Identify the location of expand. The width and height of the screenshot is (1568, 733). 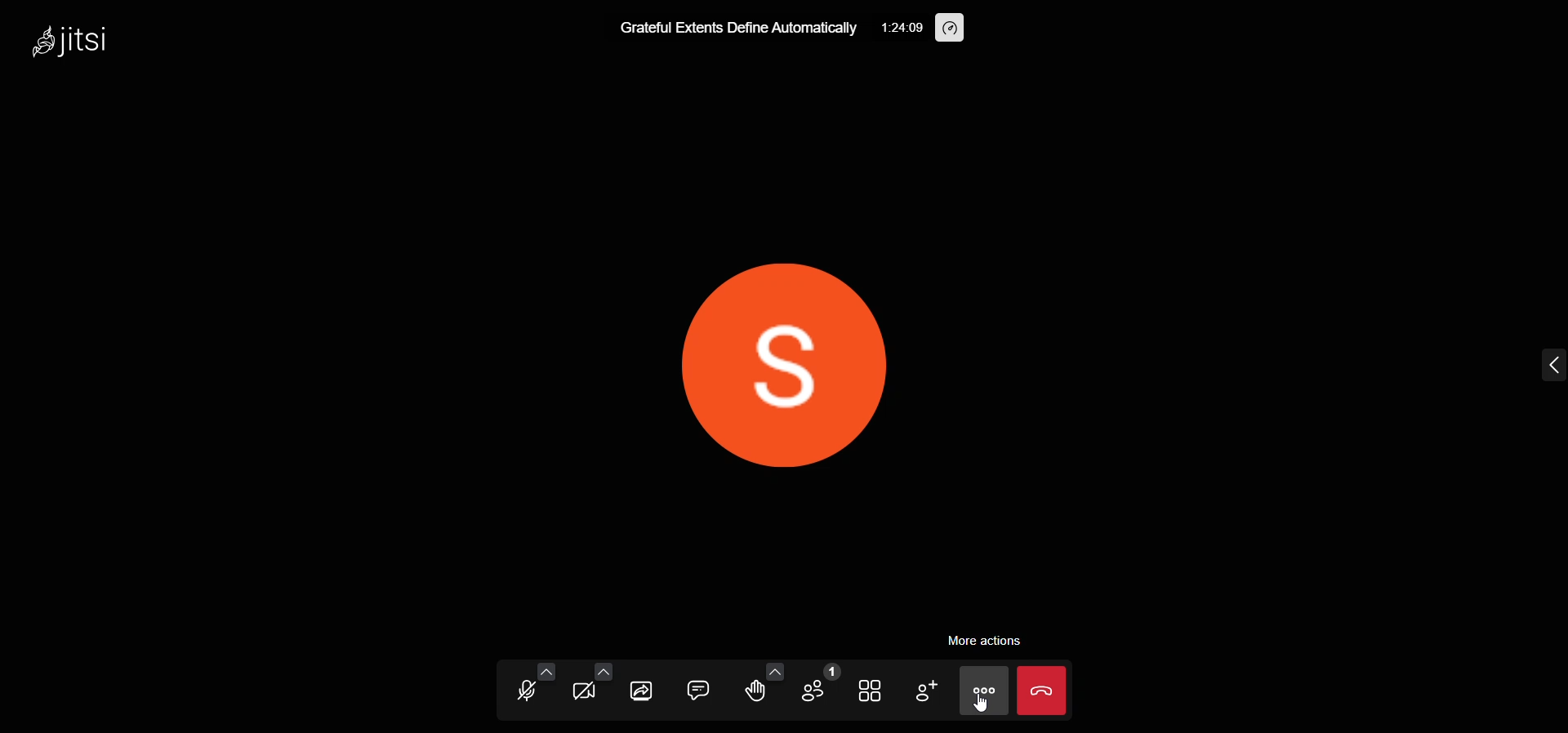
(1548, 366).